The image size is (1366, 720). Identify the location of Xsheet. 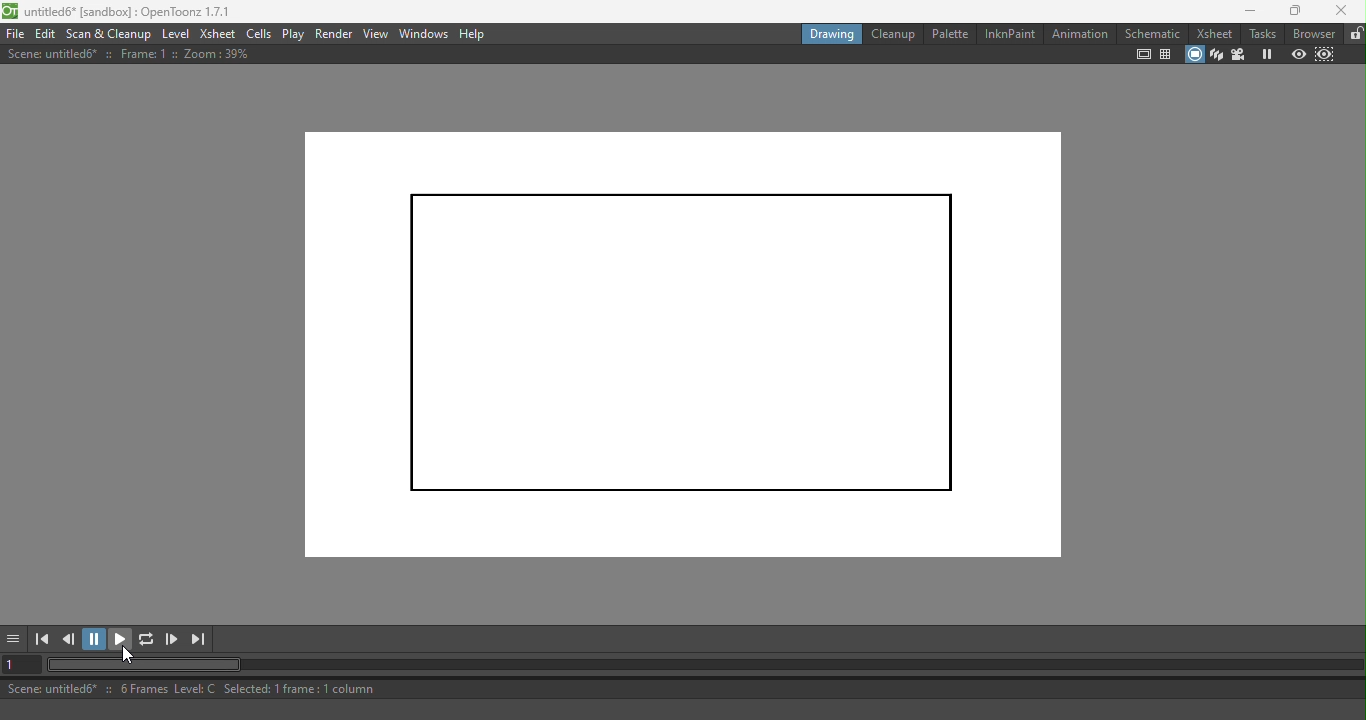
(1214, 34).